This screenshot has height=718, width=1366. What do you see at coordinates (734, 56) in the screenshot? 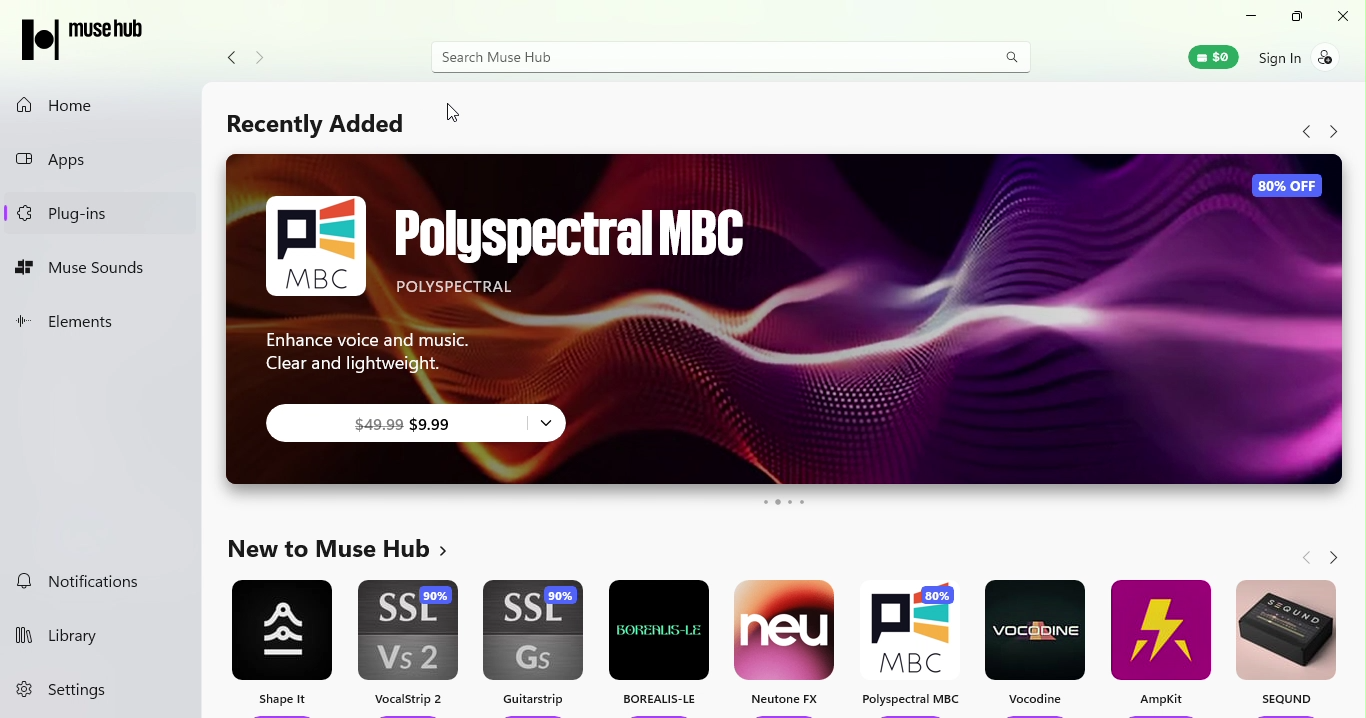
I see `Search bar` at bounding box center [734, 56].